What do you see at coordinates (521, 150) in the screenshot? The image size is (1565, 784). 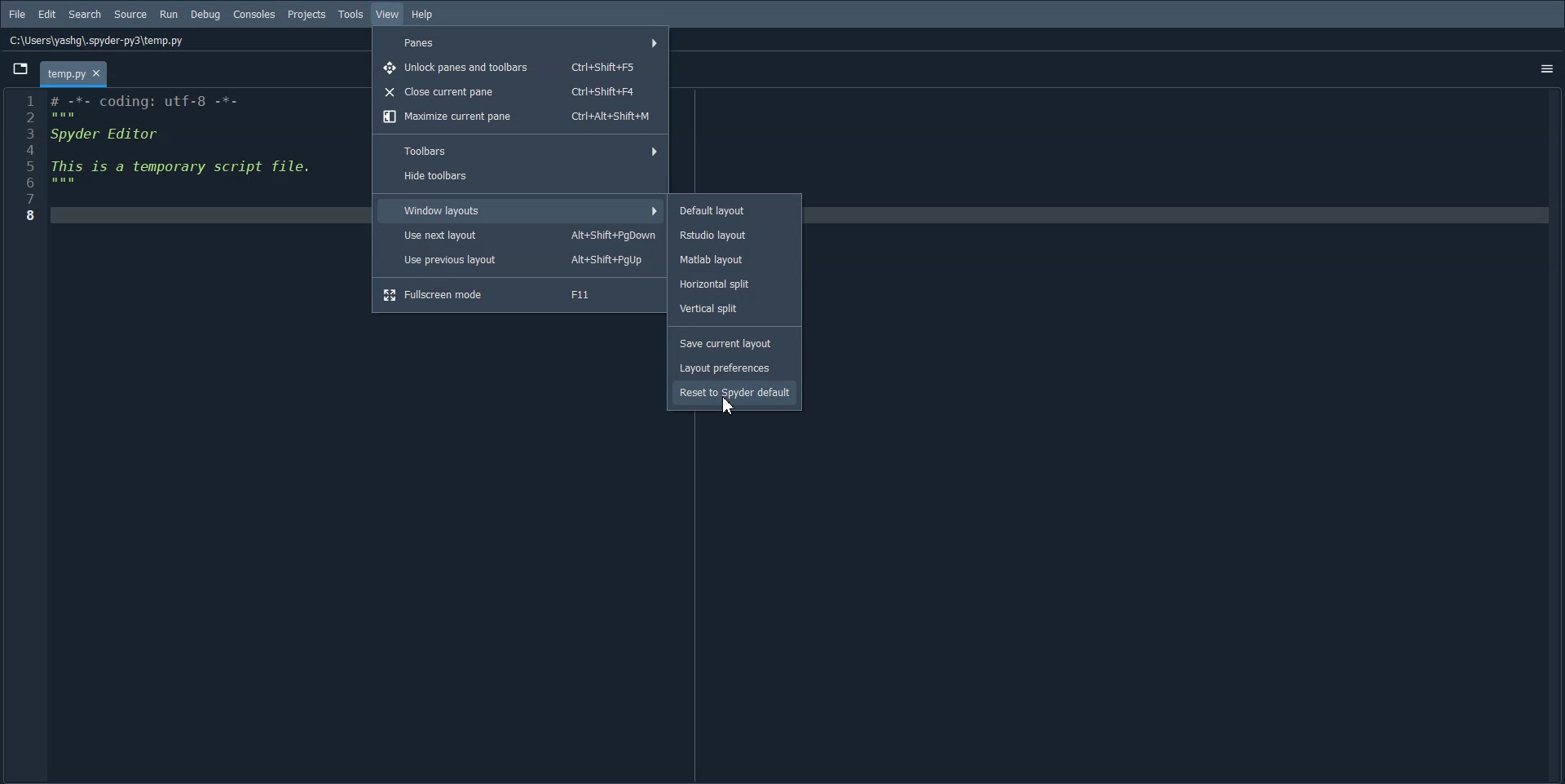 I see `Toolbars` at bounding box center [521, 150].